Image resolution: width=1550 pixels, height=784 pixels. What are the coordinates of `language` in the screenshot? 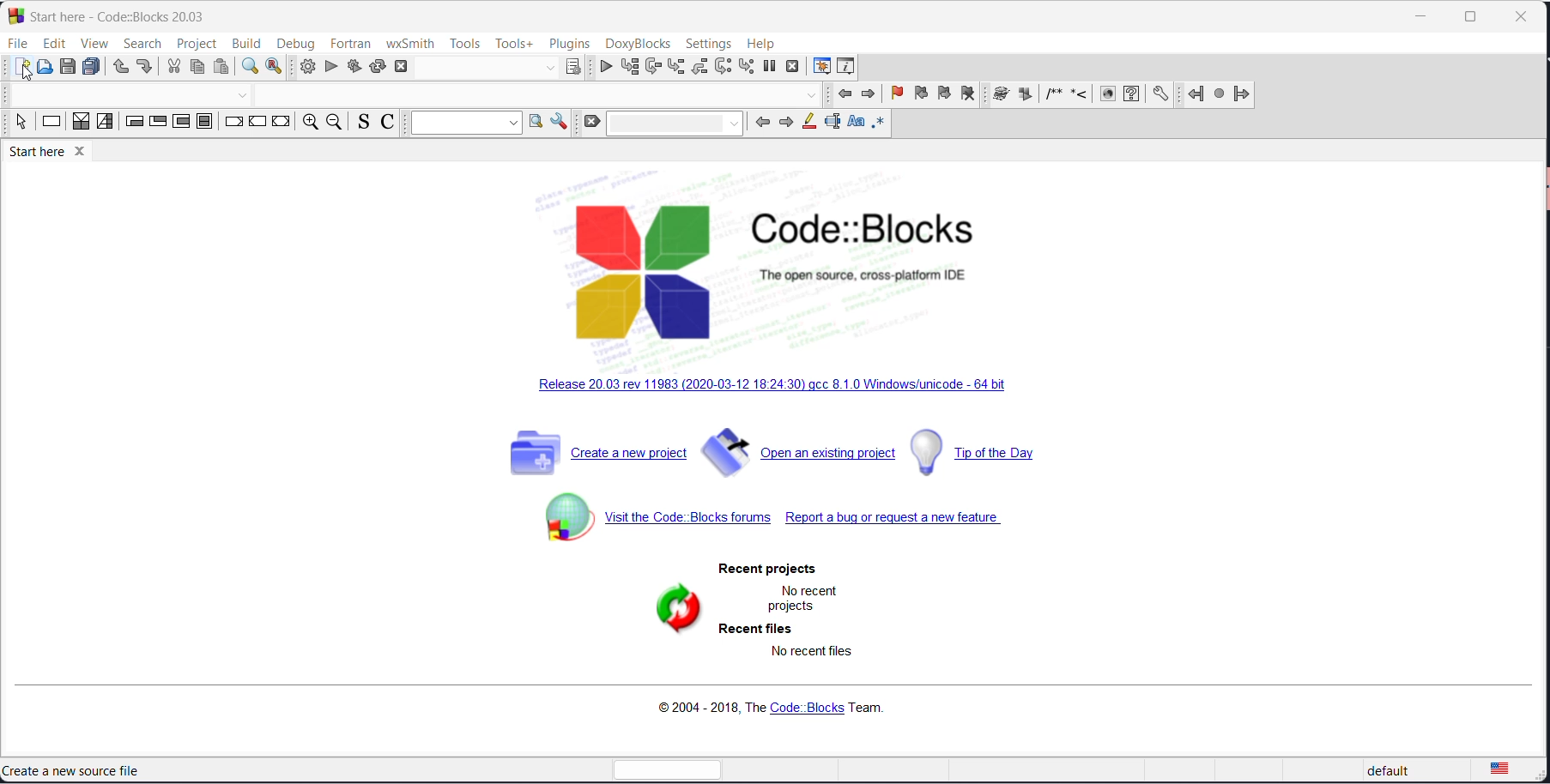 It's located at (1513, 769).